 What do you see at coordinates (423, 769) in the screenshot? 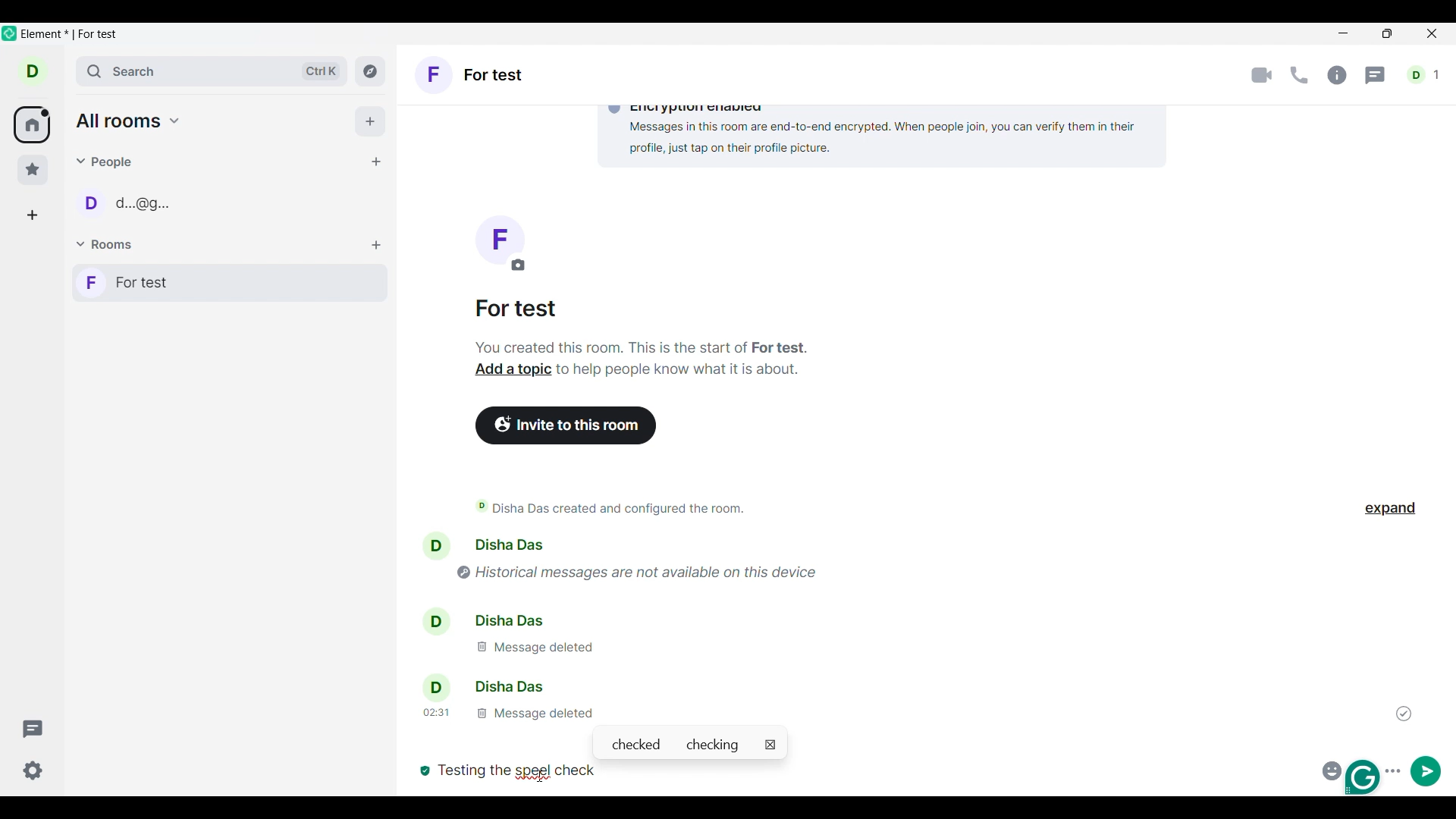
I see `everyone in this room is verified` at bounding box center [423, 769].